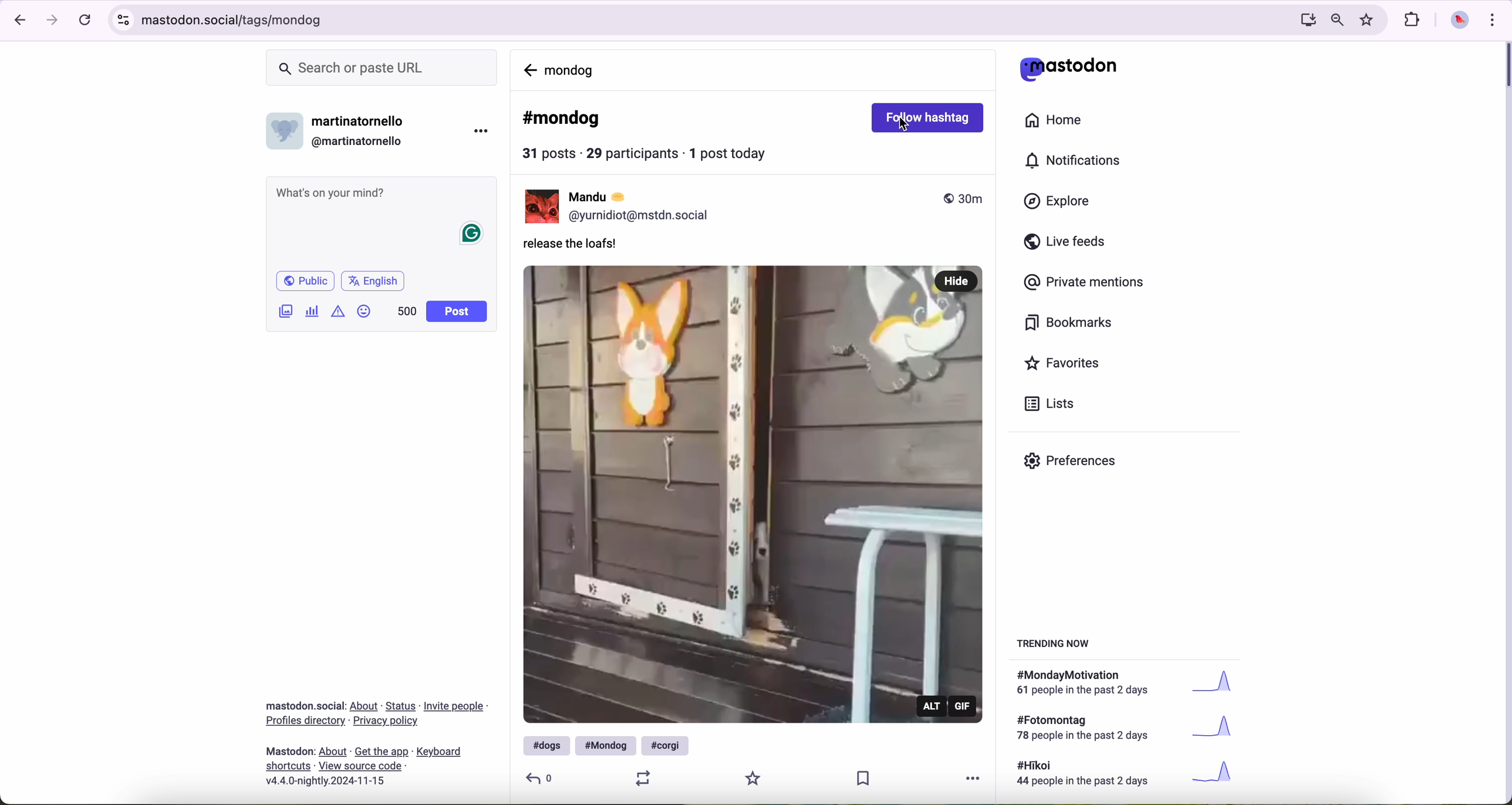 Image resolution: width=1512 pixels, height=805 pixels. What do you see at coordinates (575, 247) in the screenshot?
I see `release the loafs!` at bounding box center [575, 247].